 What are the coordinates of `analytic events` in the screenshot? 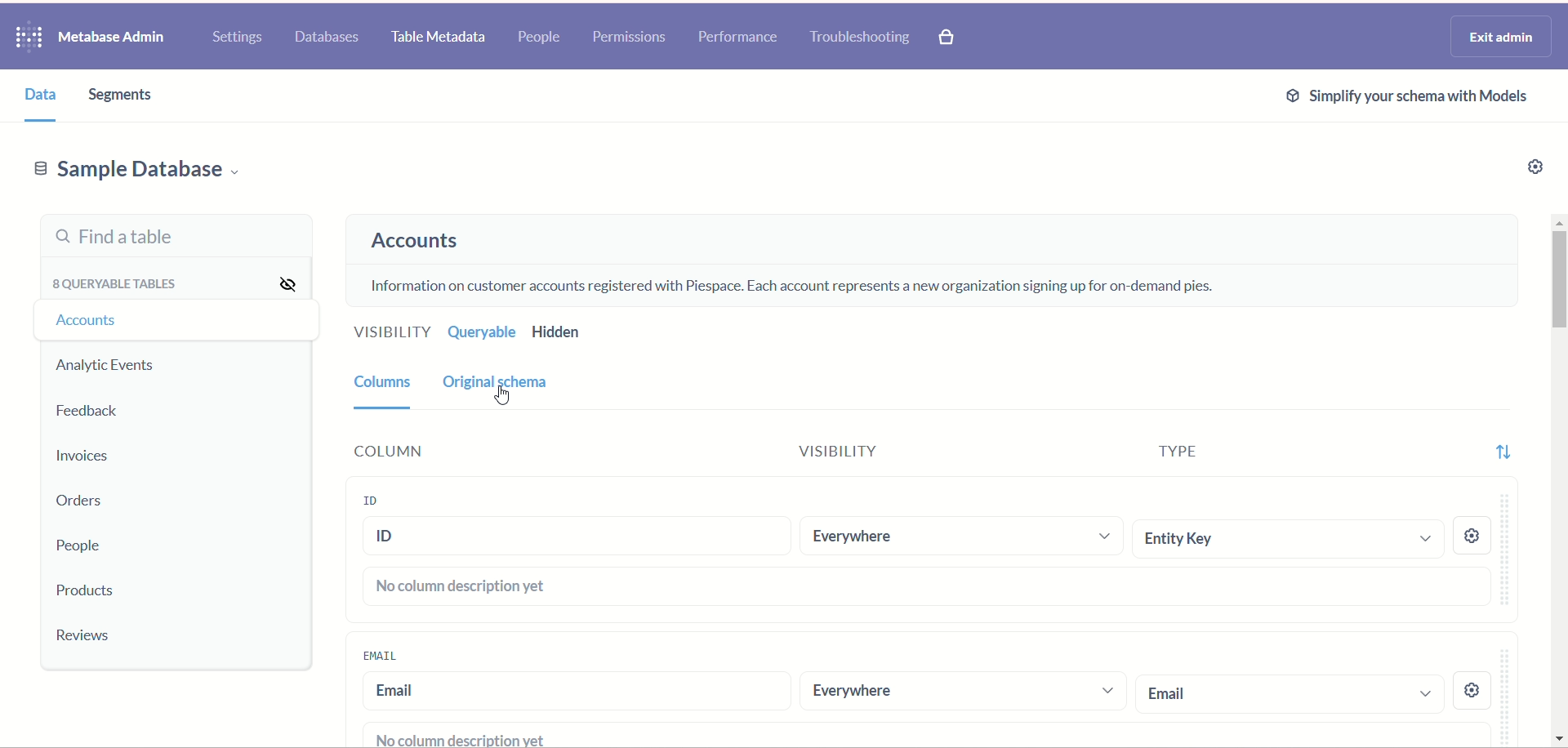 It's located at (105, 364).